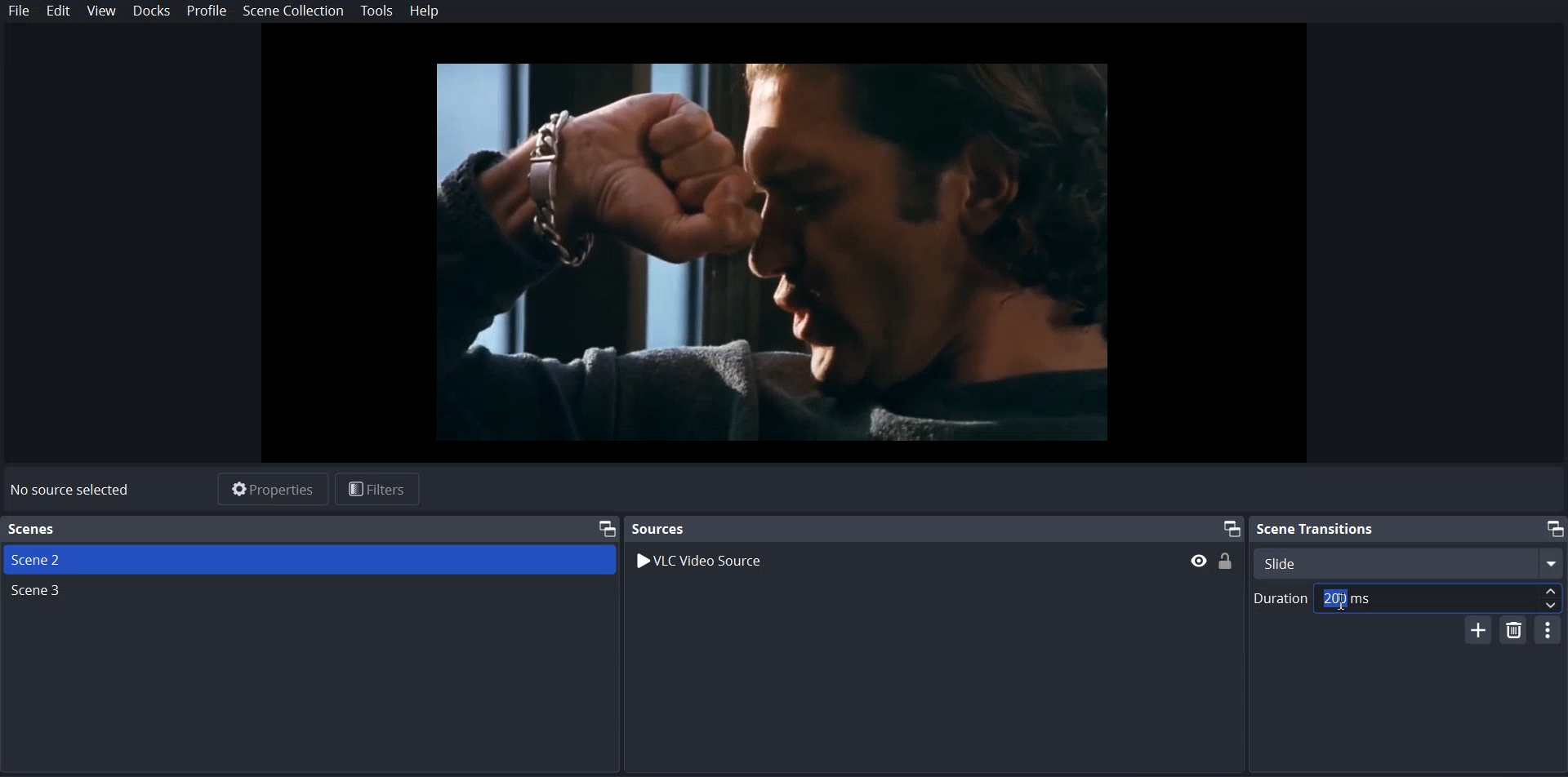 The height and width of the screenshot is (777, 1568). I want to click on Edit, so click(58, 11).